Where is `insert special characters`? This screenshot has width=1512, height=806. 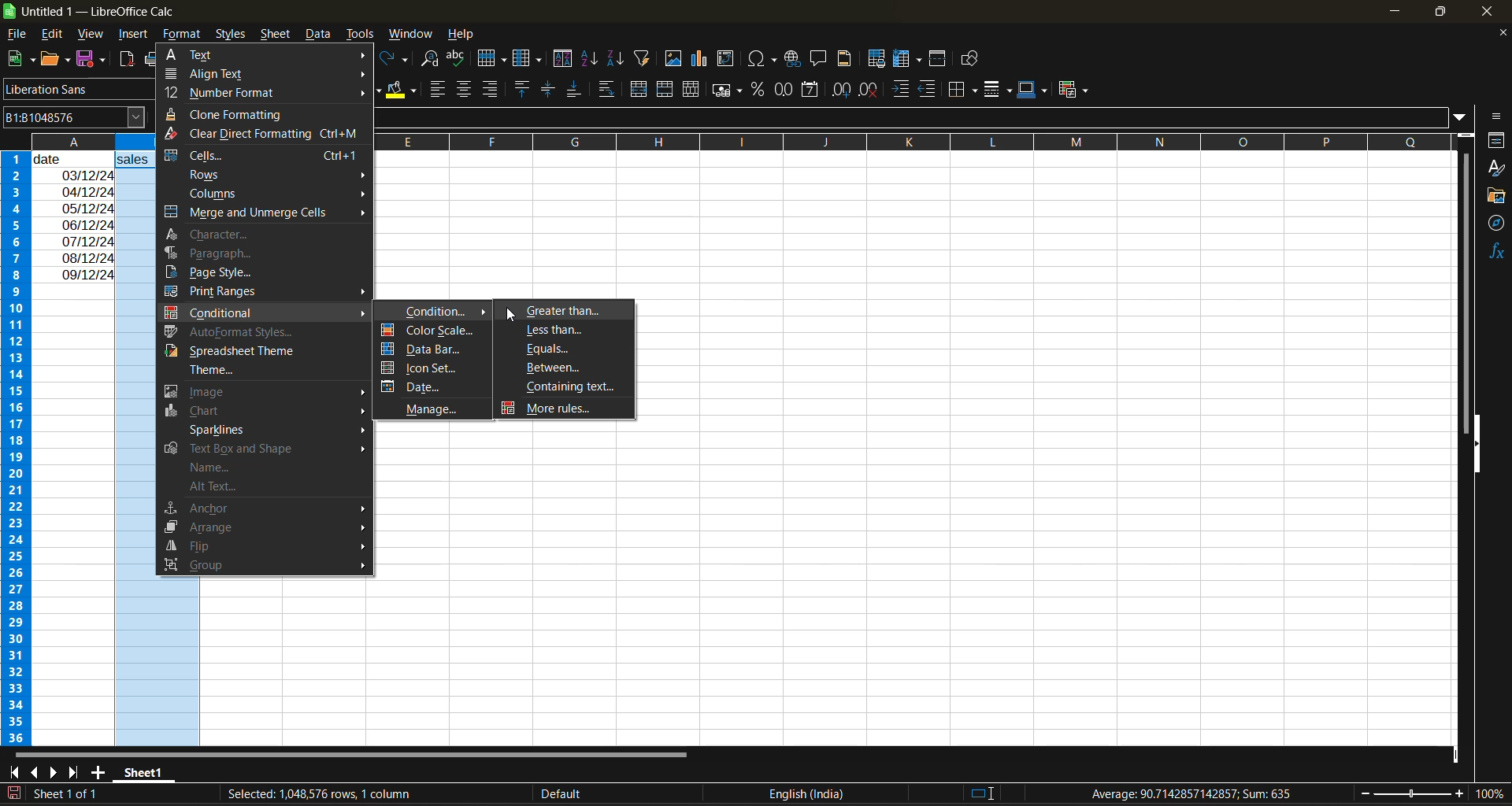 insert special characters is located at coordinates (763, 61).